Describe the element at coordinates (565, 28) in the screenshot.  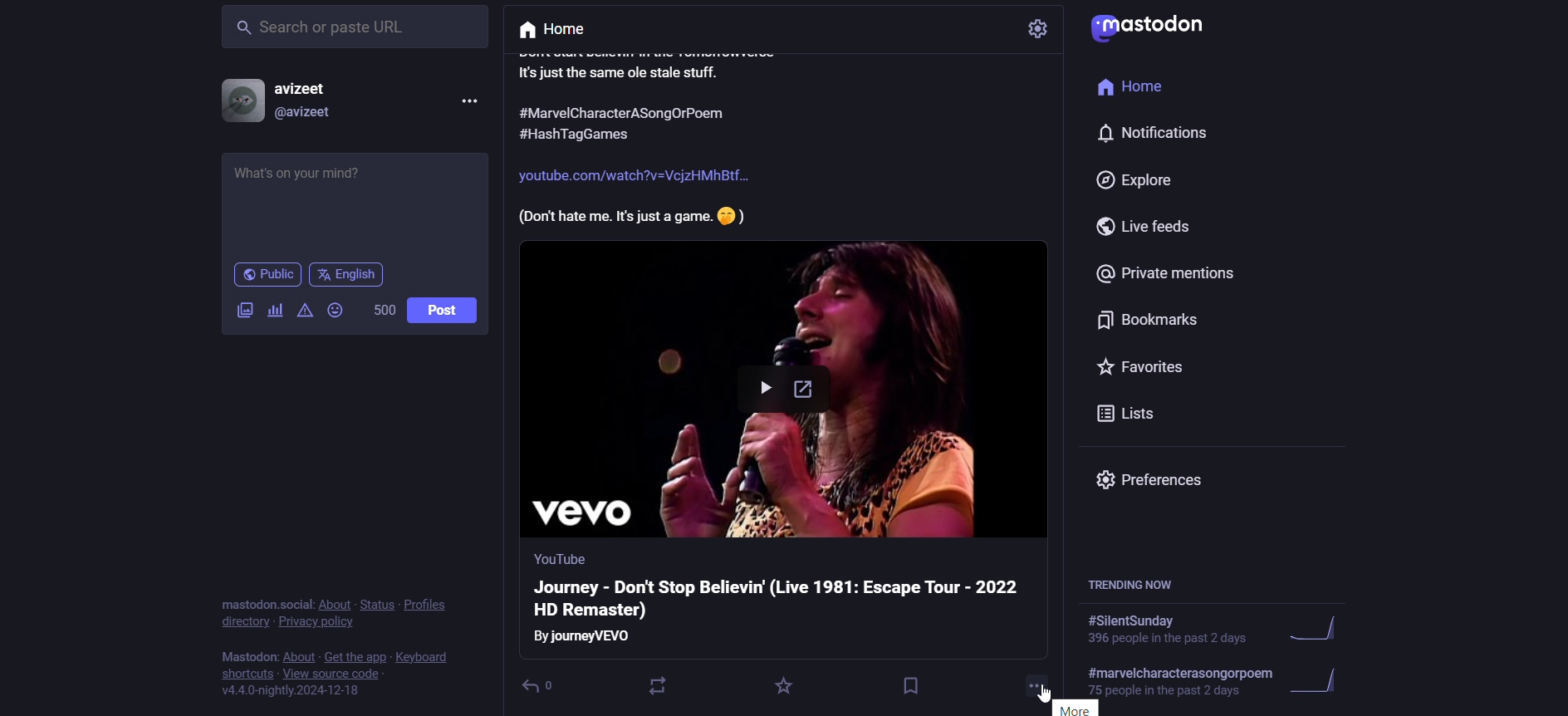
I see `home` at that location.